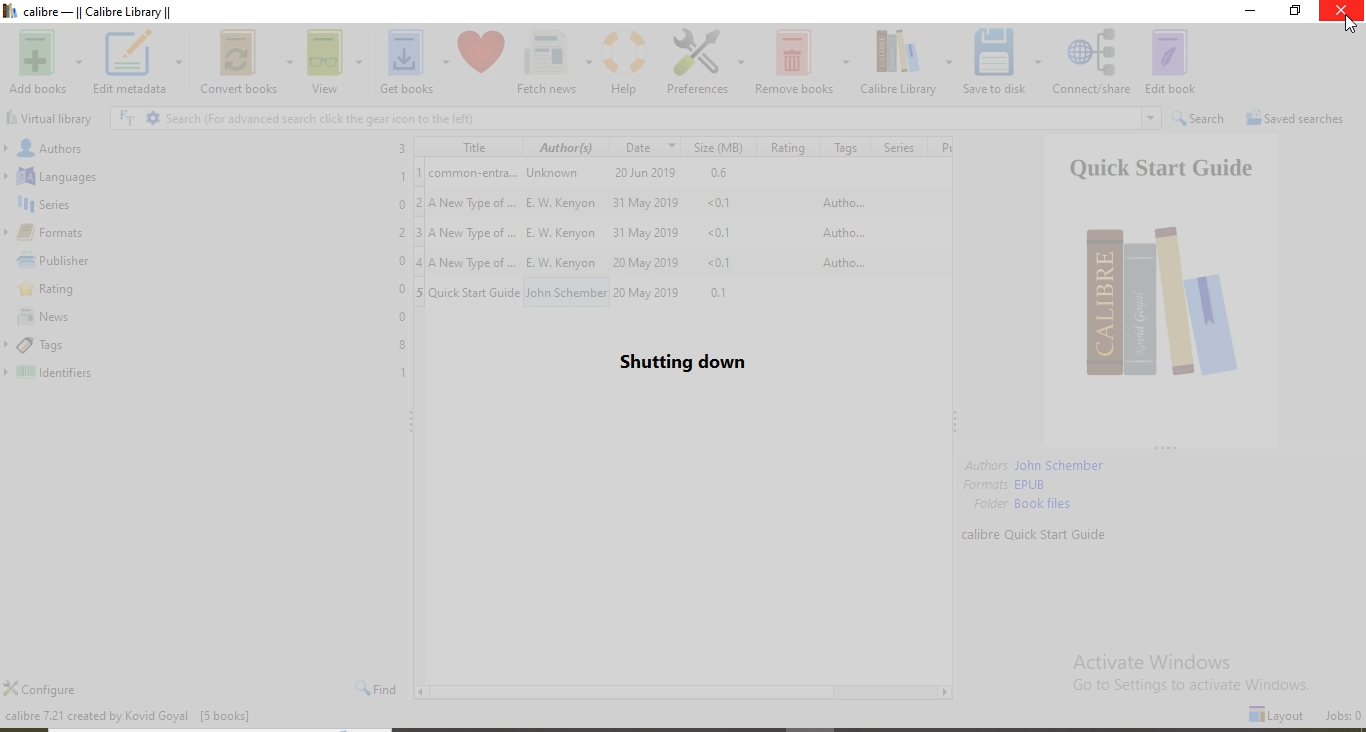  What do you see at coordinates (649, 173) in the screenshot?
I see `29 Jun 2019` at bounding box center [649, 173].